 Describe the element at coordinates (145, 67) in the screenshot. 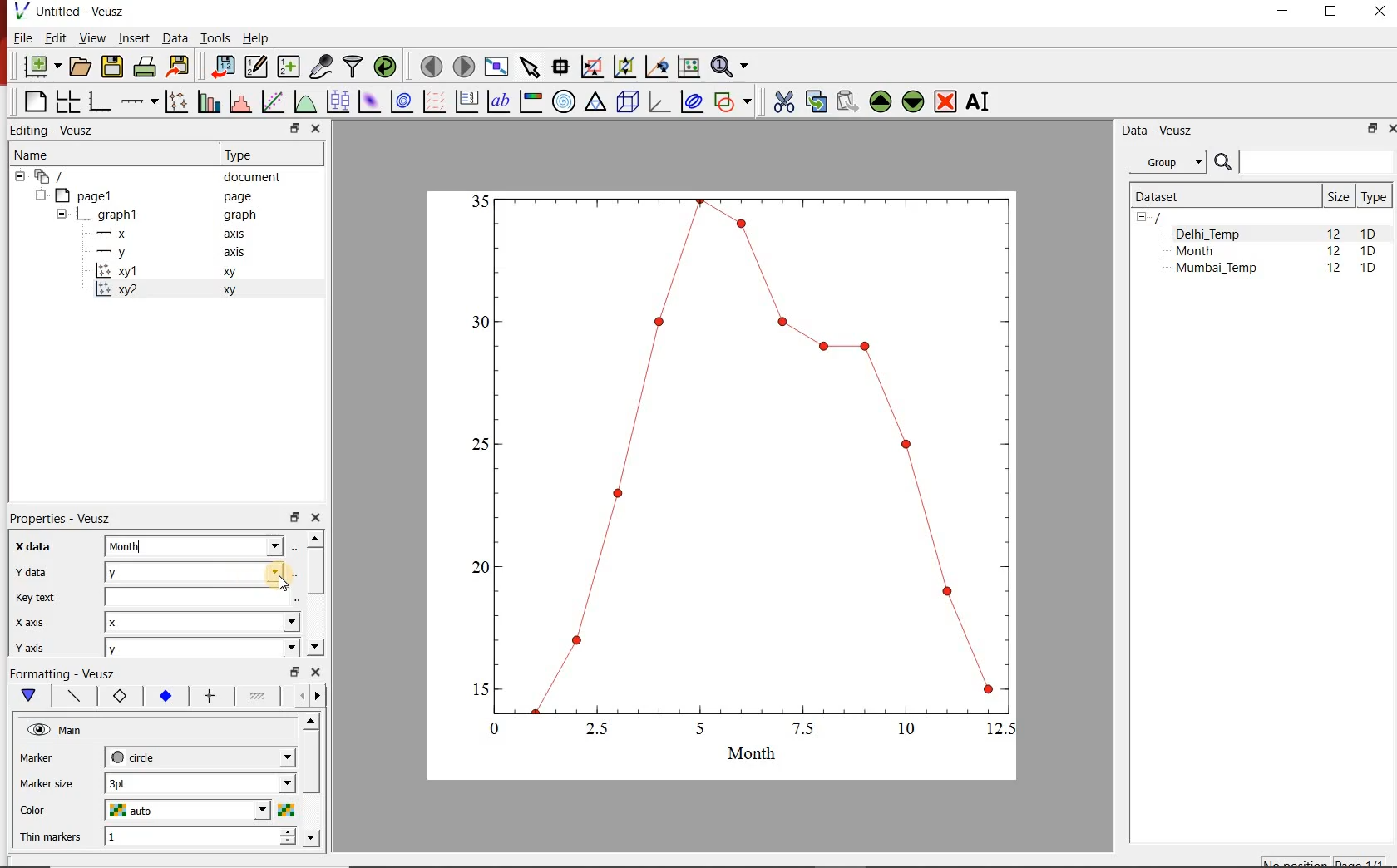

I see `print the document` at that location.